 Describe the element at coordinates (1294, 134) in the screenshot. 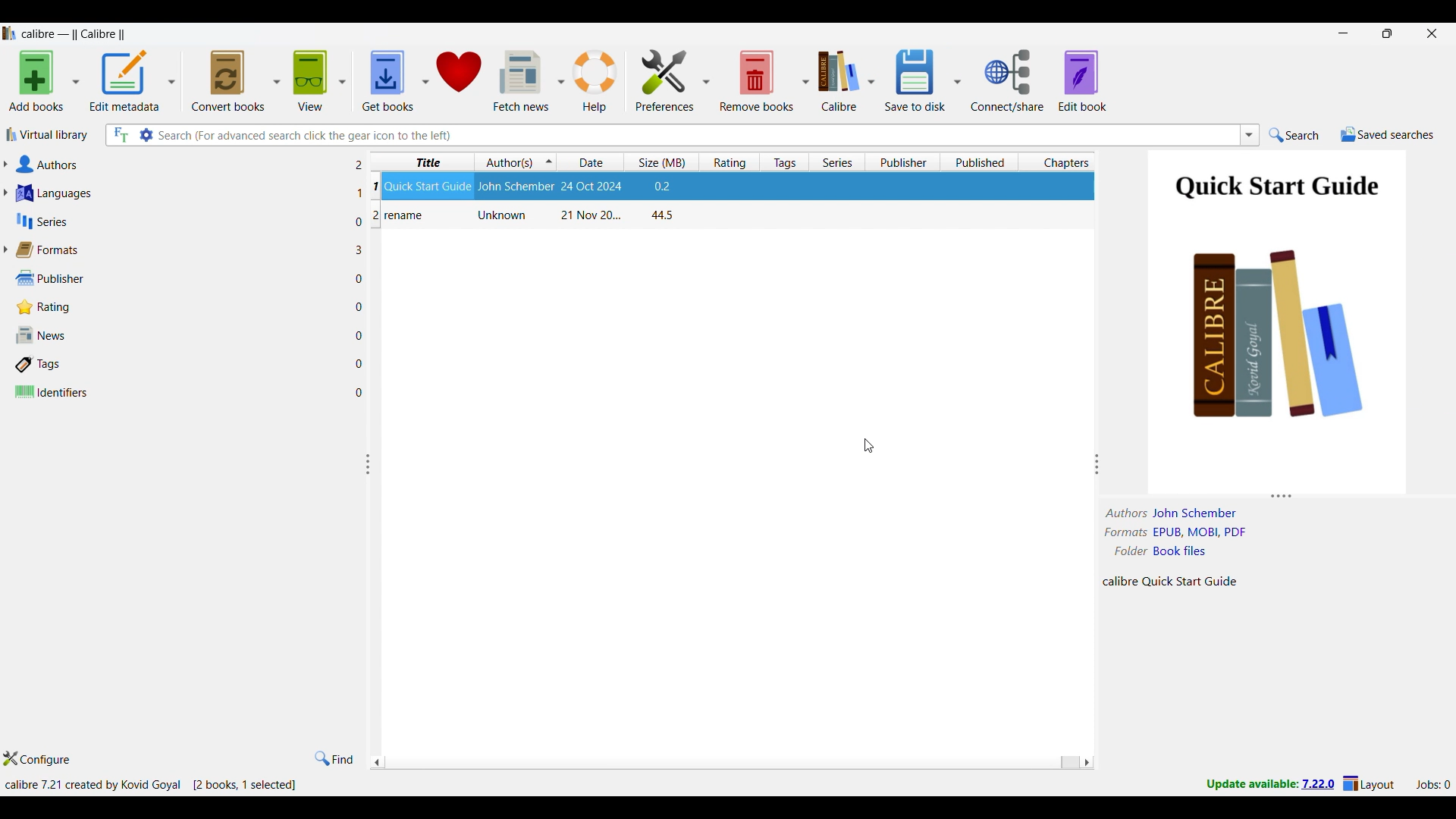

I see `Search` at that location.